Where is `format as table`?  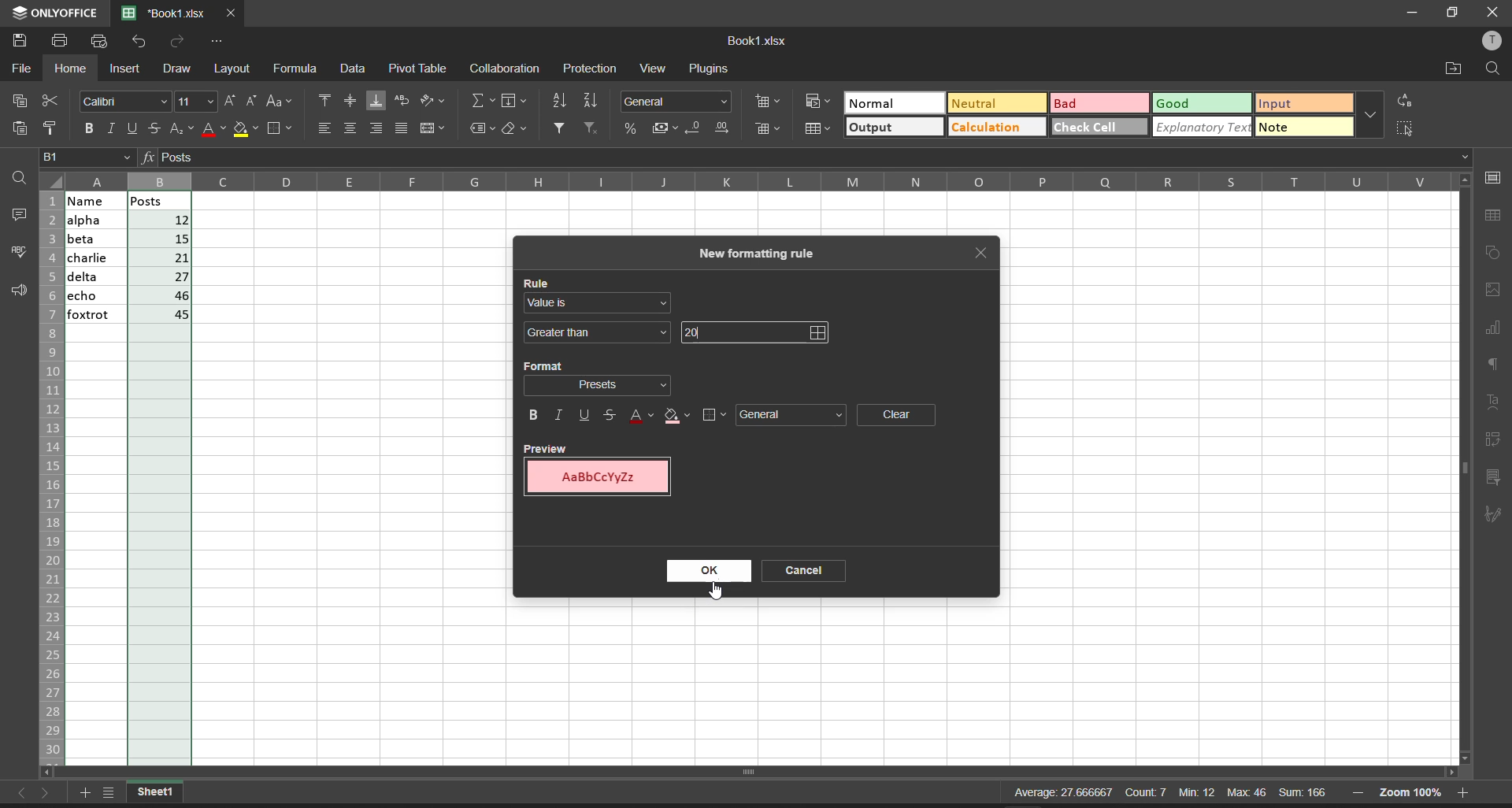
format as table is located at coordinates (821, 130).